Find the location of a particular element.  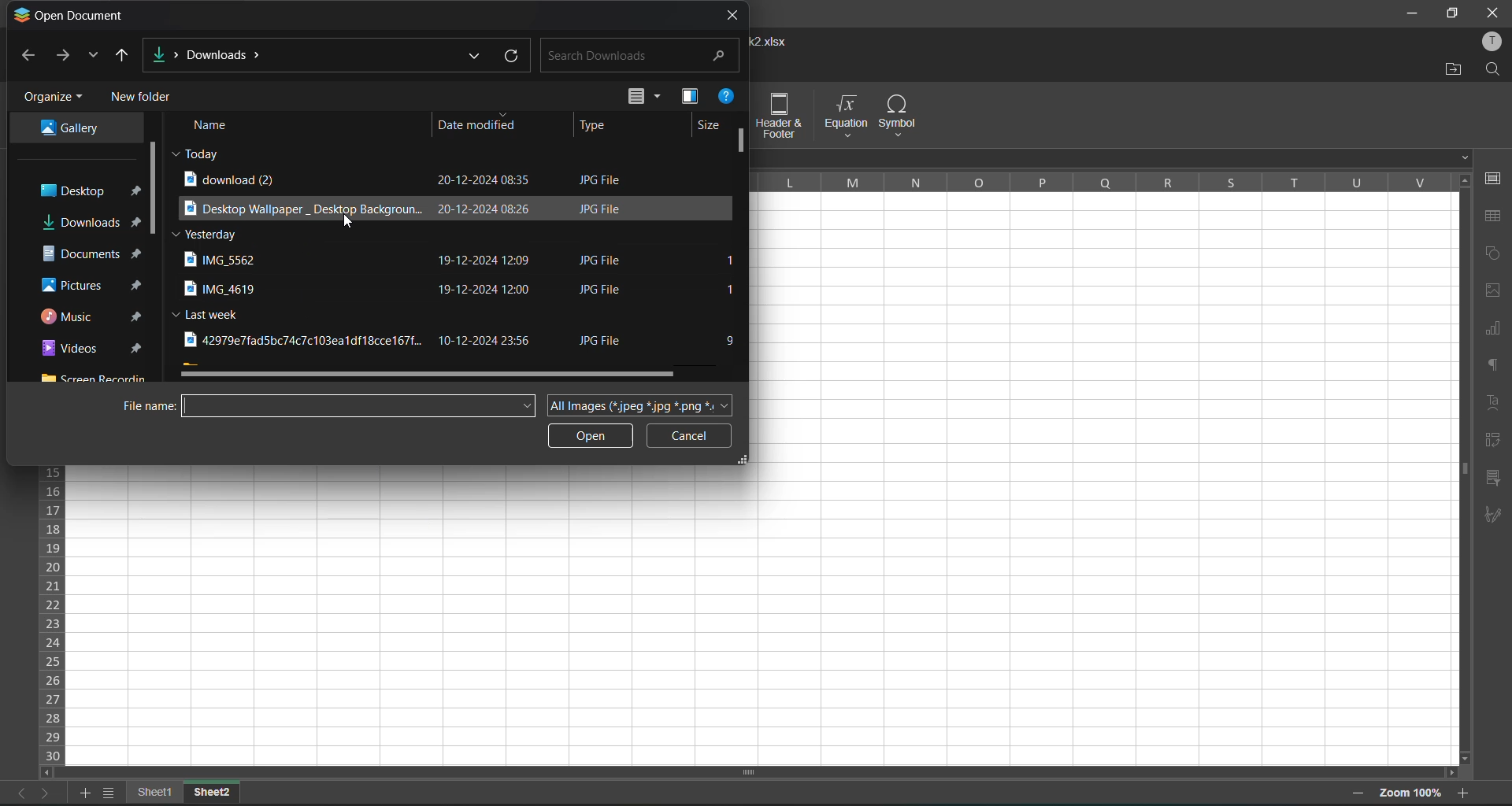

documents is located at coordinates (88, 254).